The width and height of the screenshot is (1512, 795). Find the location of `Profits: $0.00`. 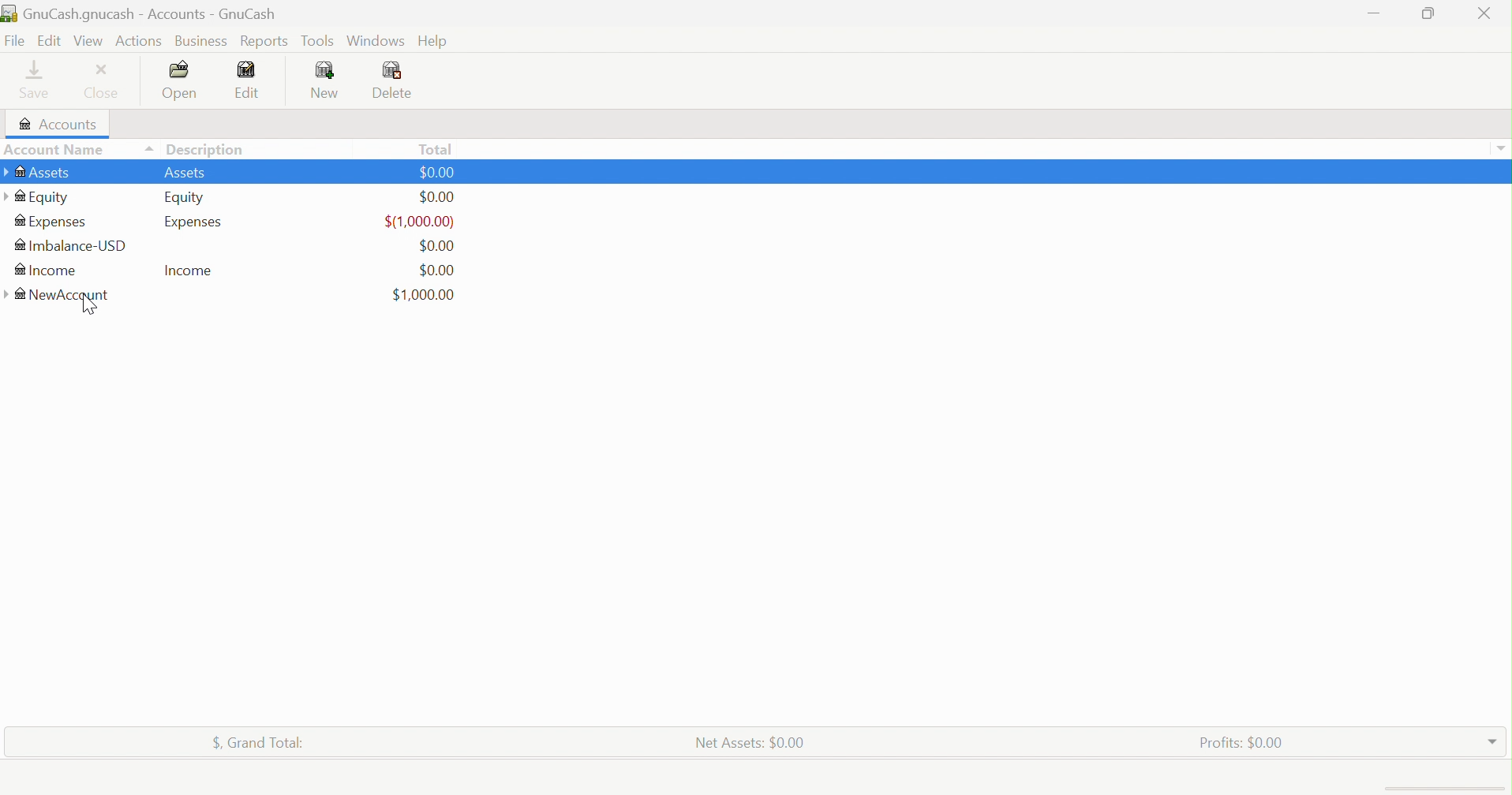

Profits: $0.00 is located at coordinates (1243, 742).